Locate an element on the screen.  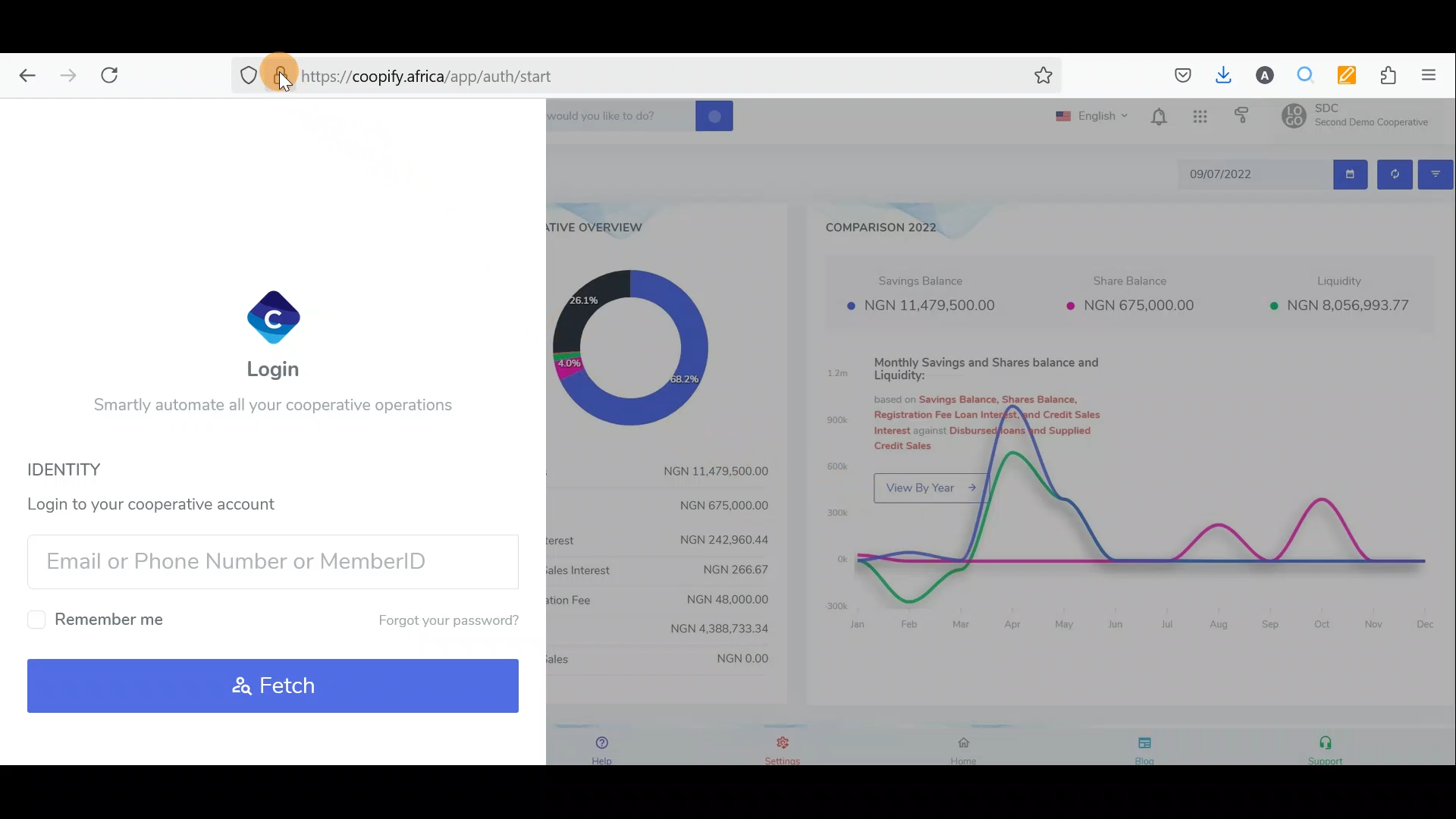
Login is located at coordinates (276, 334).